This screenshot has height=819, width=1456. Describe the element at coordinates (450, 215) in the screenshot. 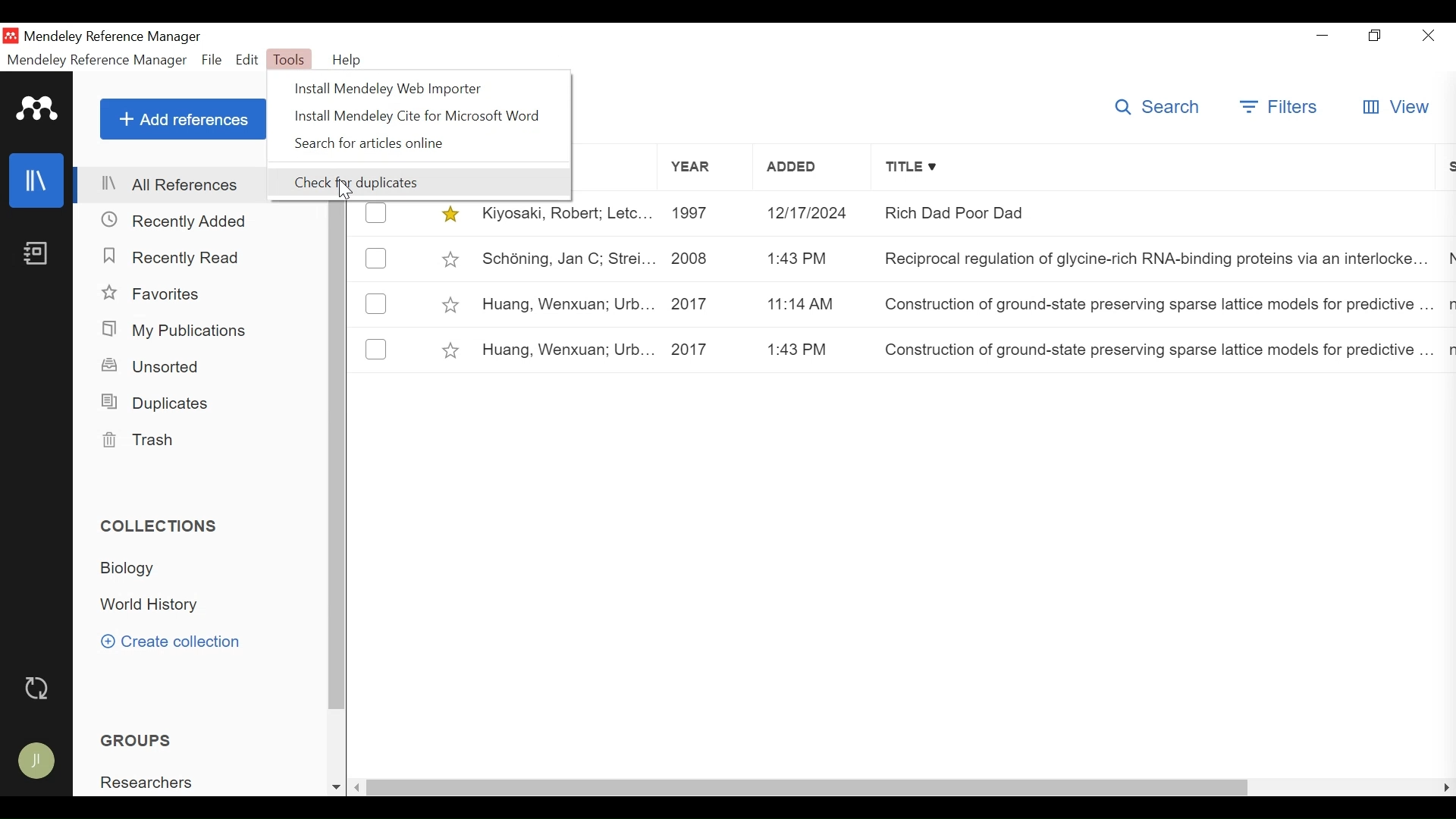

I see `Toggle Favorites` at that location.